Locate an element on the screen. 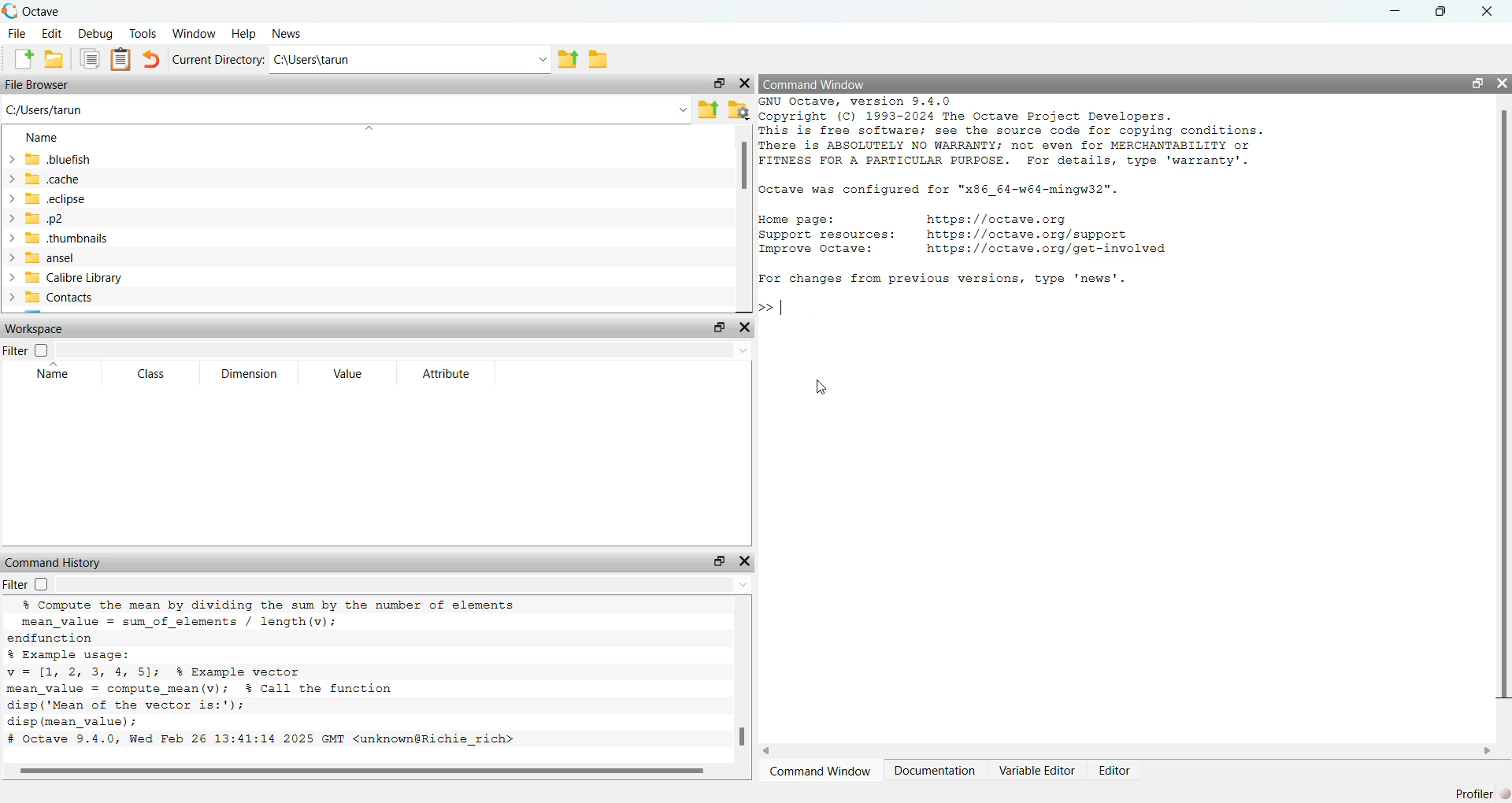 This screenshot has width=1512, height=803. Name is located at coordinates (55, 372).